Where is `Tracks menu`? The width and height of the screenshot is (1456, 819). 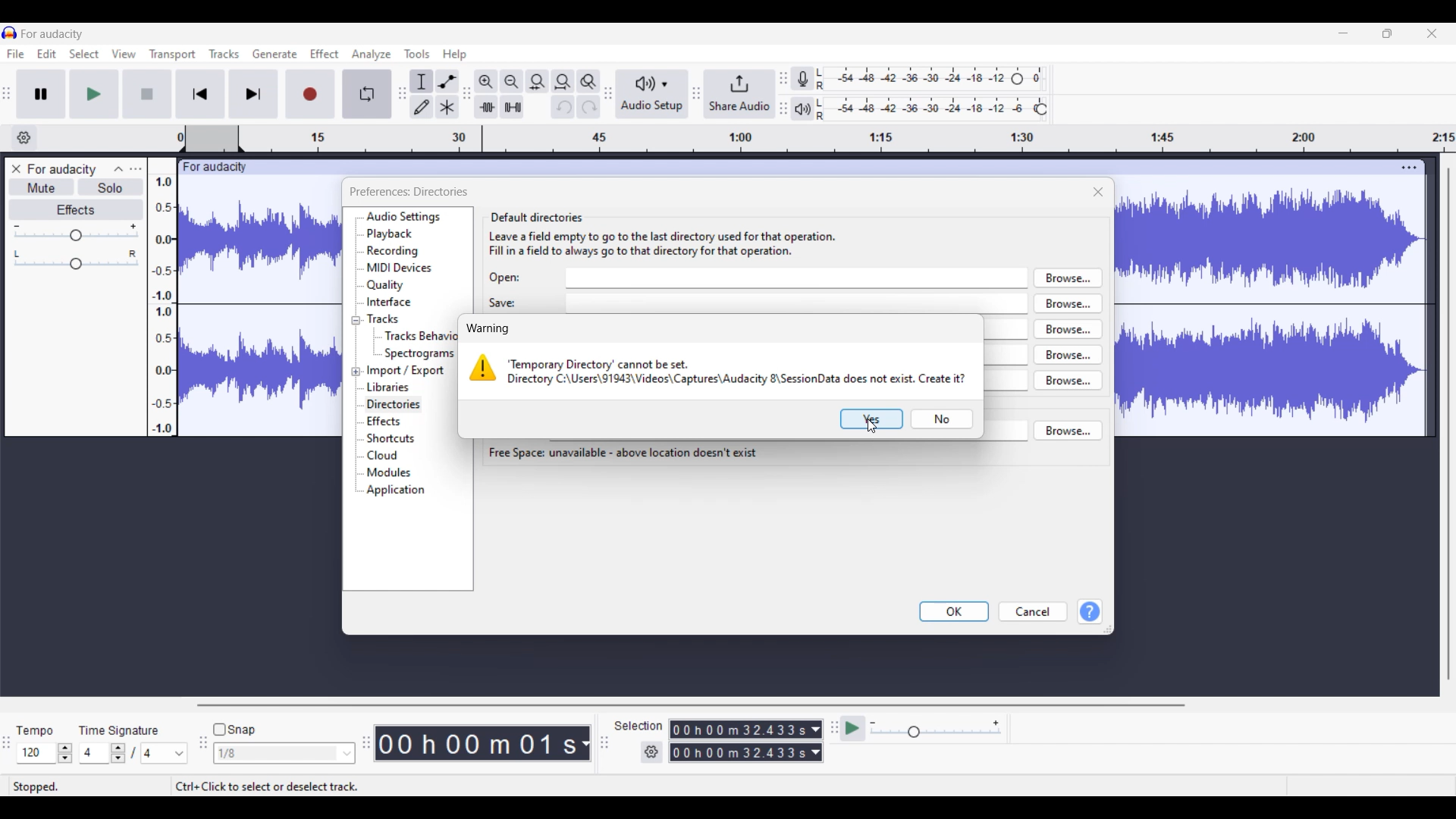
Tracks menu is located at coordinates (224, 54).